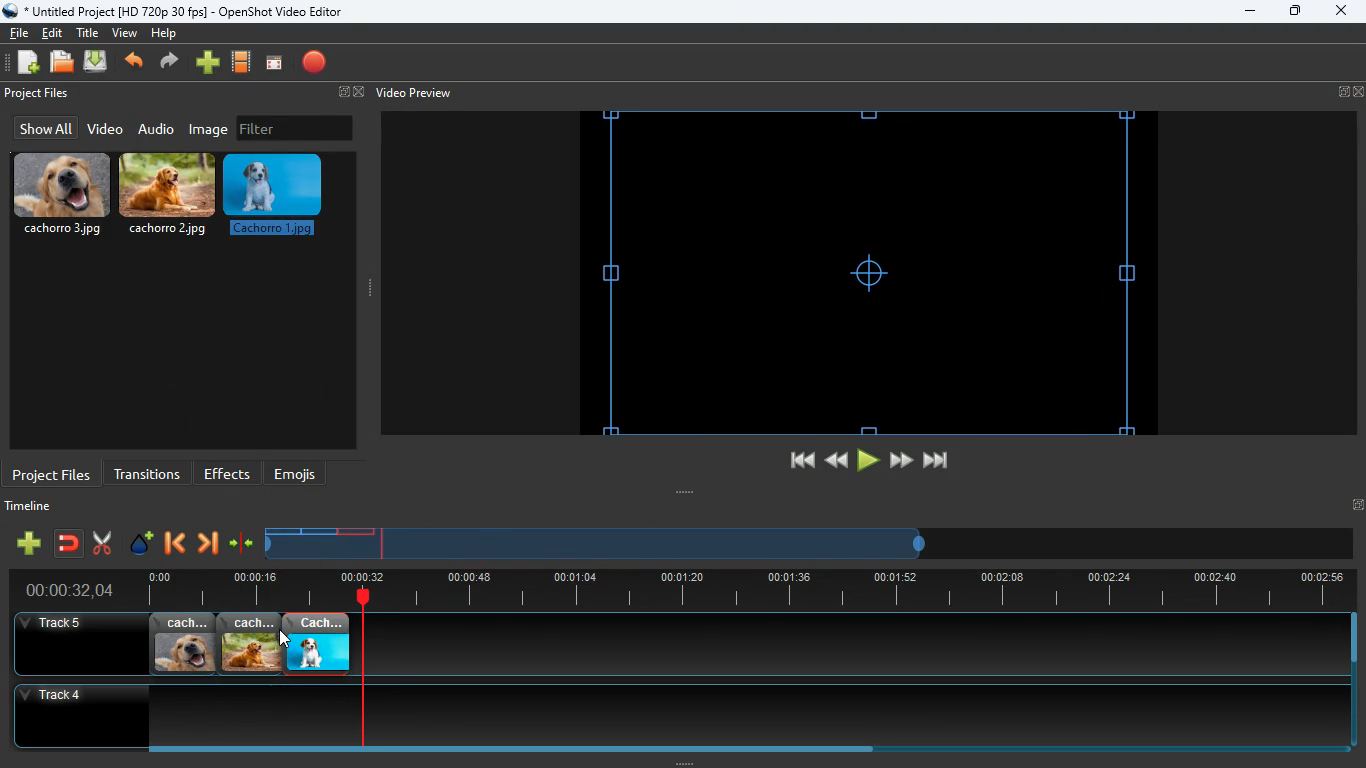 The width and height of the screenshot is (1366, 768). Describe the element at coordinates (39, 94) in the screenshot. I see `project files` at that location.